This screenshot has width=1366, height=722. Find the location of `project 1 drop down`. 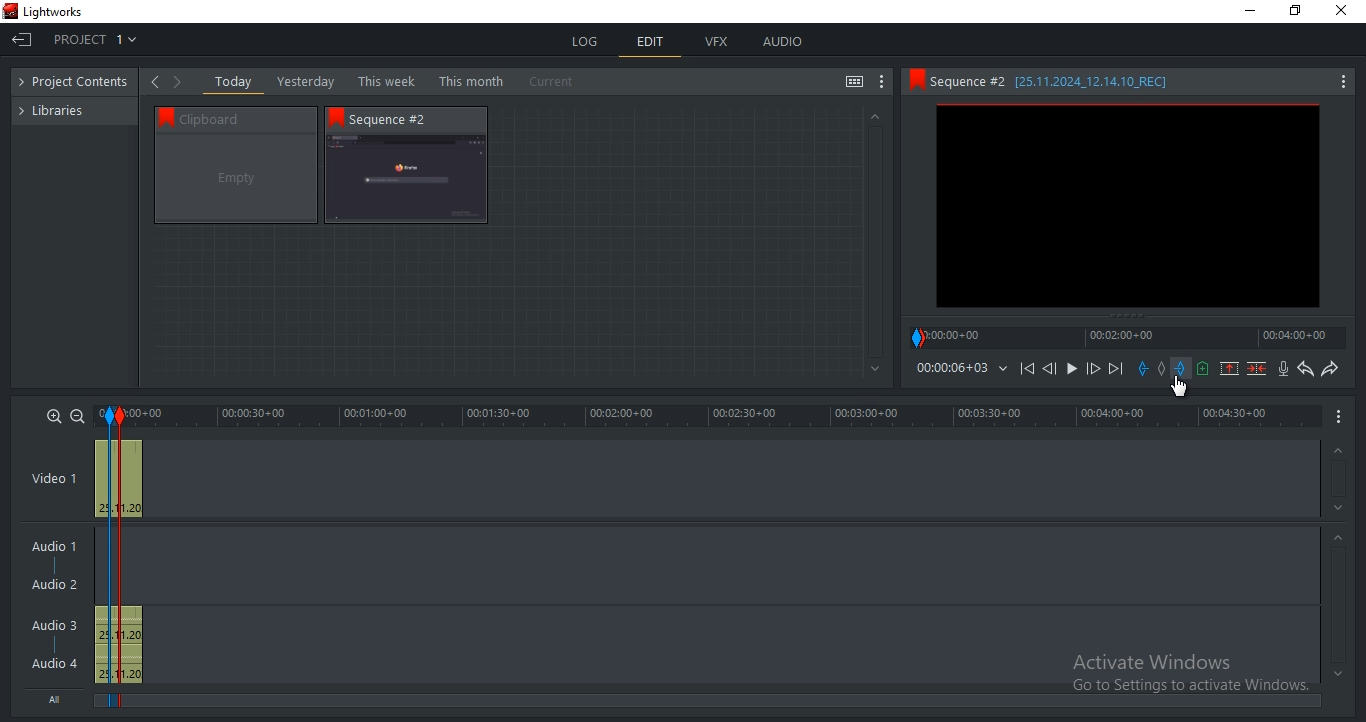

project 1 drop down is located at coordinates (90, 42).